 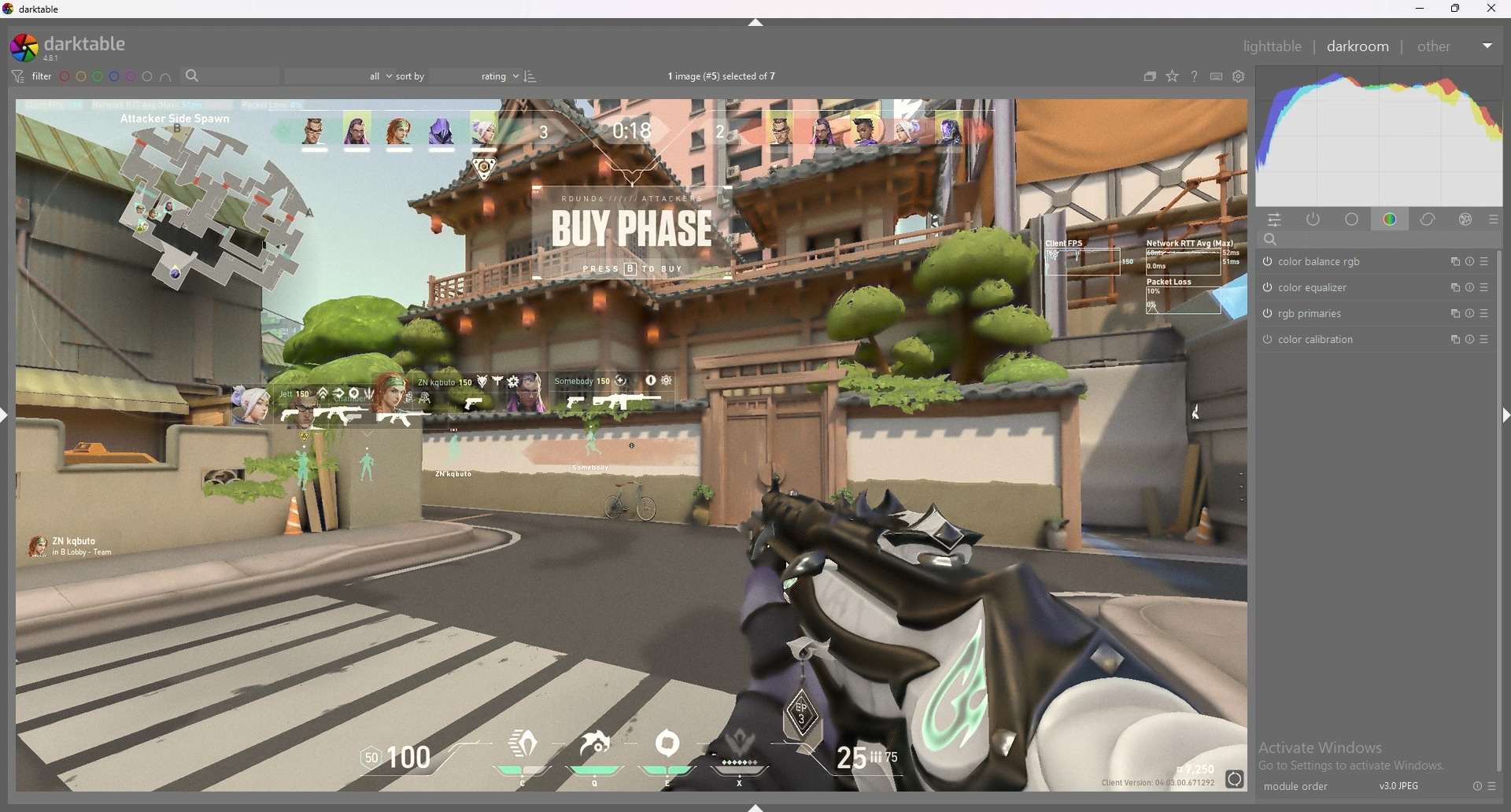 What do you see at coordinates (75, 47) in the screenshot?
I see `darktable` at bounding box center [75, 47].